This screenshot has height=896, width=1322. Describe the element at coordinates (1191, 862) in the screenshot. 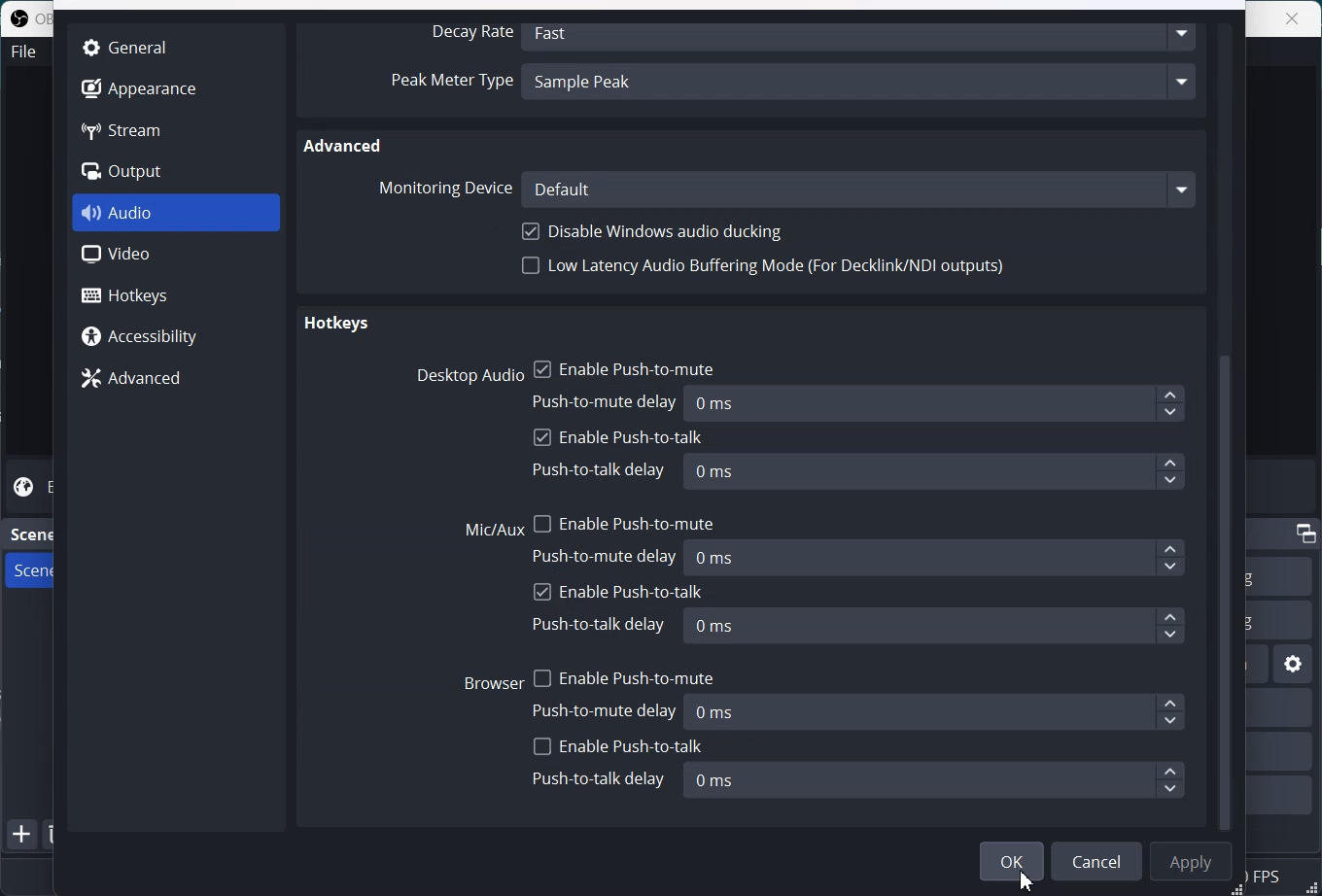

I see `Apply` at that location.